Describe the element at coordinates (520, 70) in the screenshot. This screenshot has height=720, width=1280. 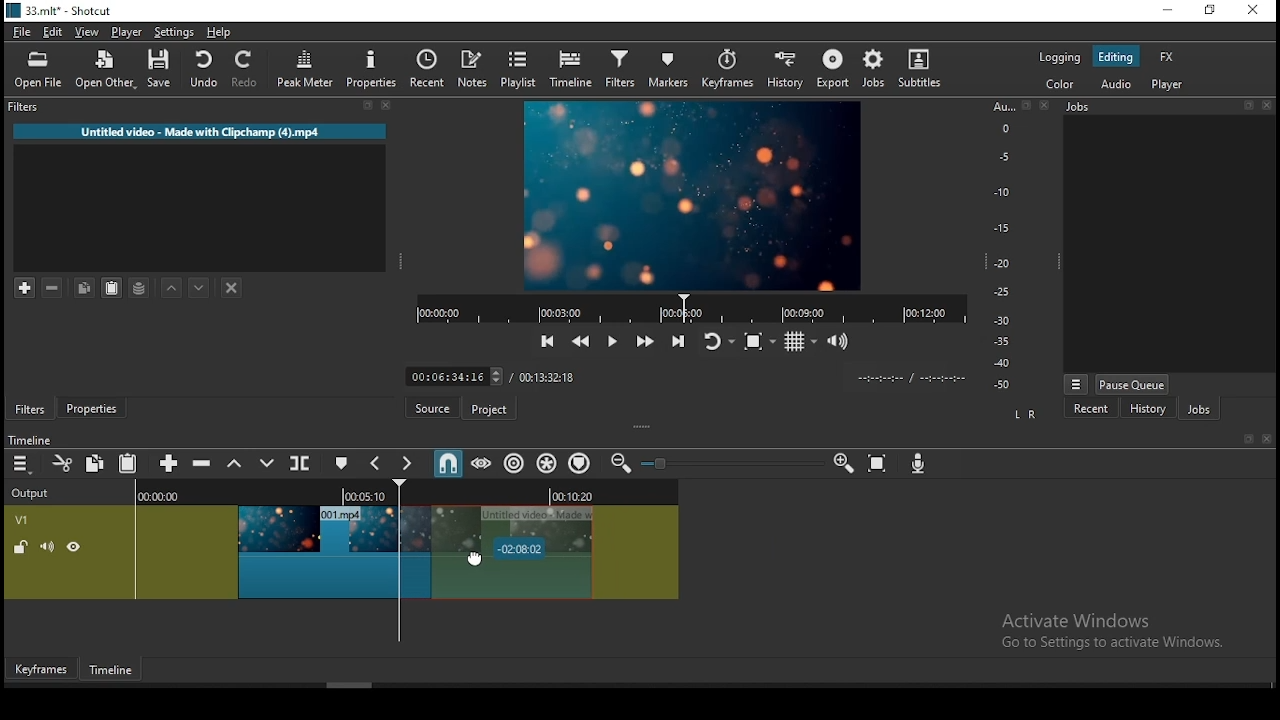
I see `playlist` at that location.